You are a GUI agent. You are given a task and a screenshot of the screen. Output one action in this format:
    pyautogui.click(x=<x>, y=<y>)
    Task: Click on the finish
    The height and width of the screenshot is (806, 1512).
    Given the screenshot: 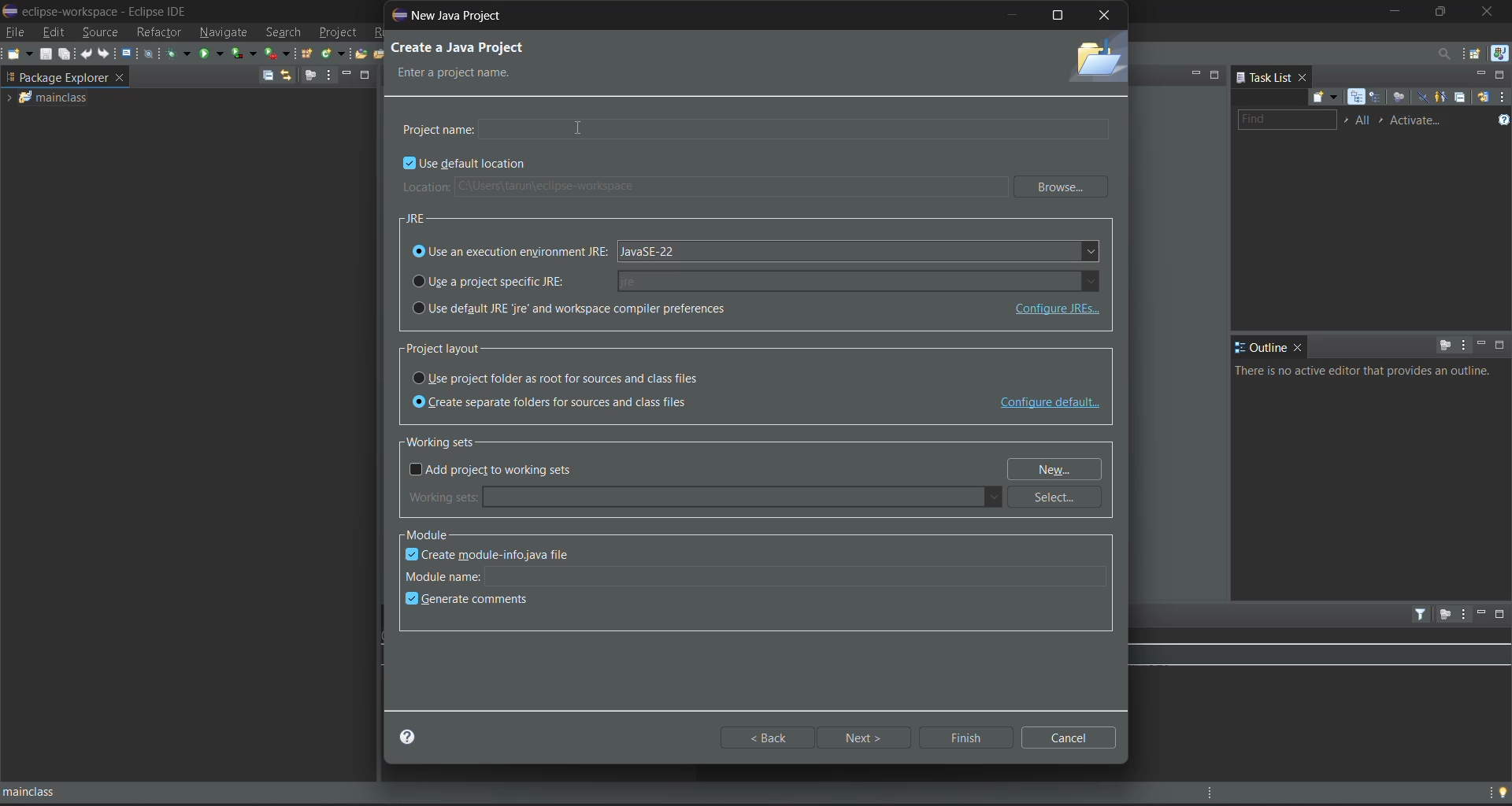 What is the action you would take?
    pyautogui.click(x=963, y=736)
    